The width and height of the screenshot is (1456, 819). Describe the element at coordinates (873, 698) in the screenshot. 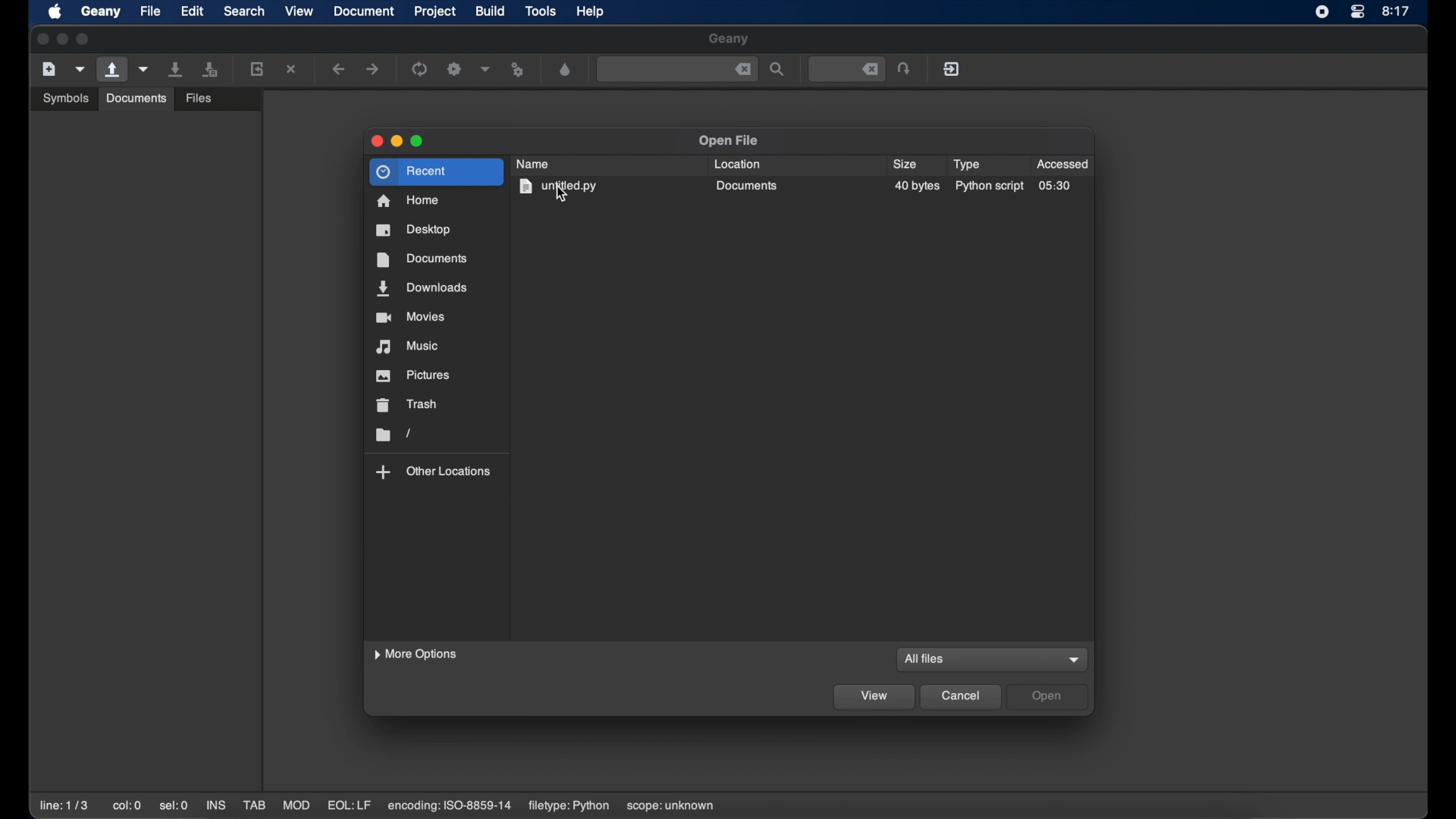

I see `view` at that location.